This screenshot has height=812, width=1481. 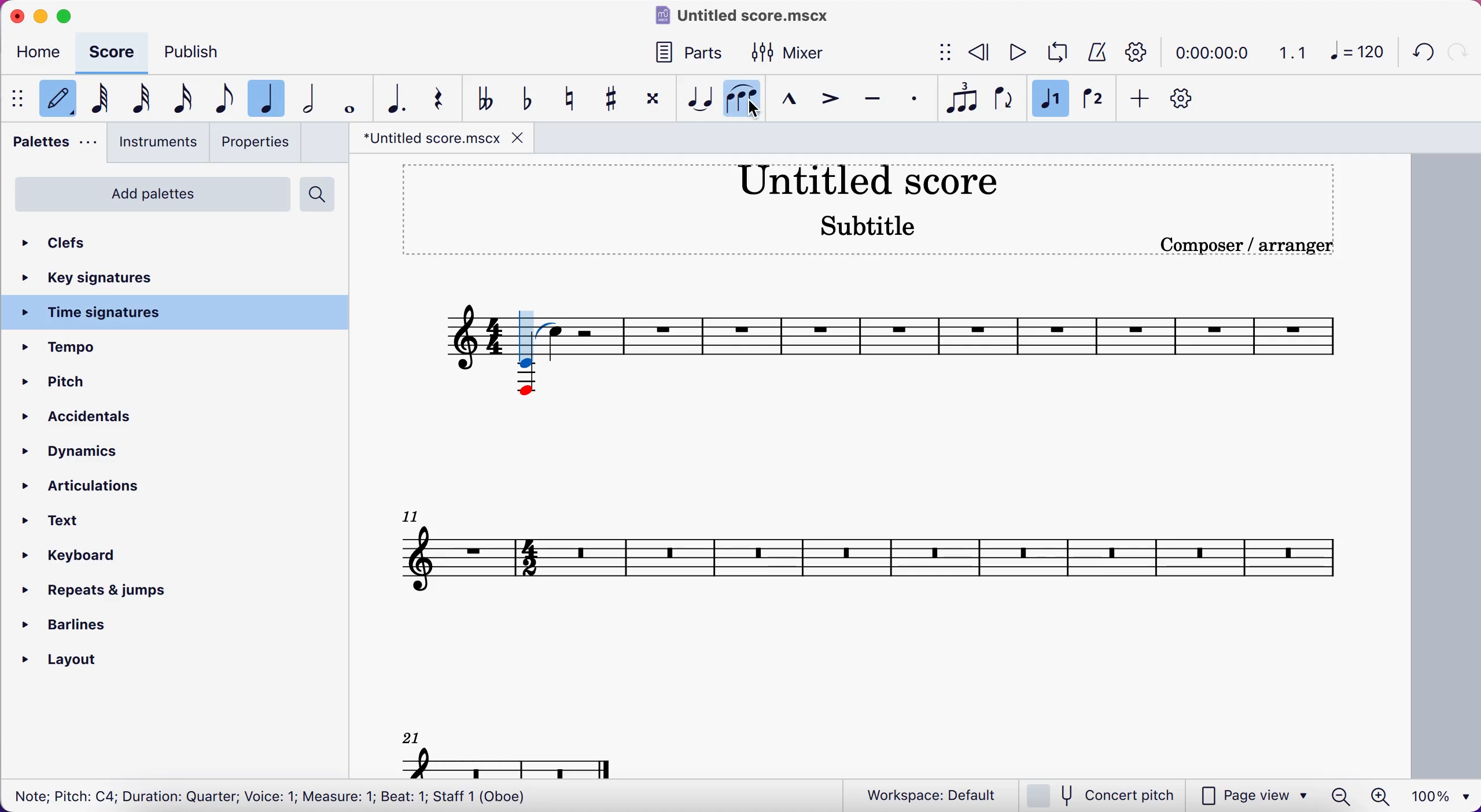 What do you see at coordinates (1211, 51) in the screenshot?
I see `0:00:00:0` at bounding box center [1211, 51].